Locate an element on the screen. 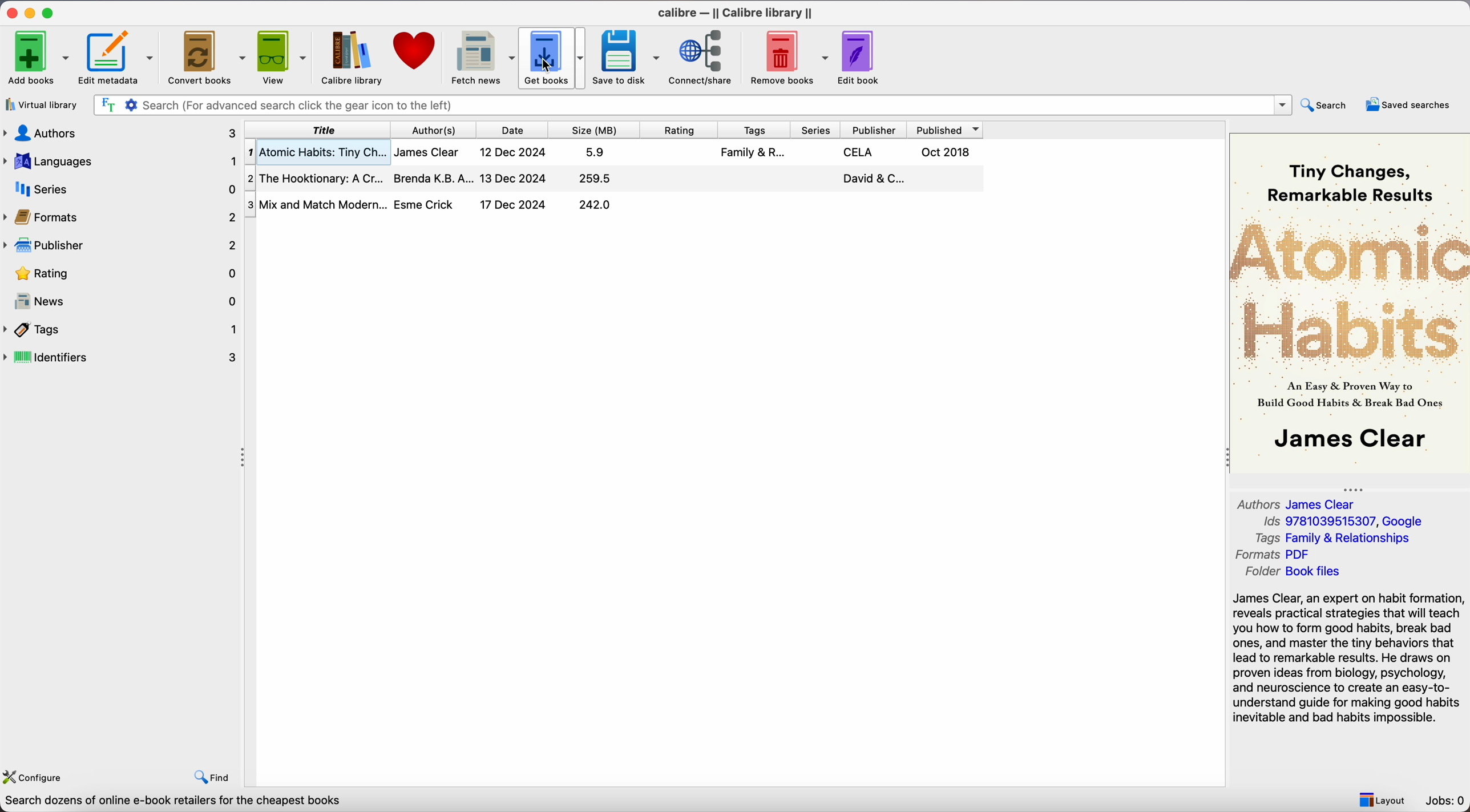 This screenshot has width=1470, height=812. publisher is located at coordinates (877, 130).